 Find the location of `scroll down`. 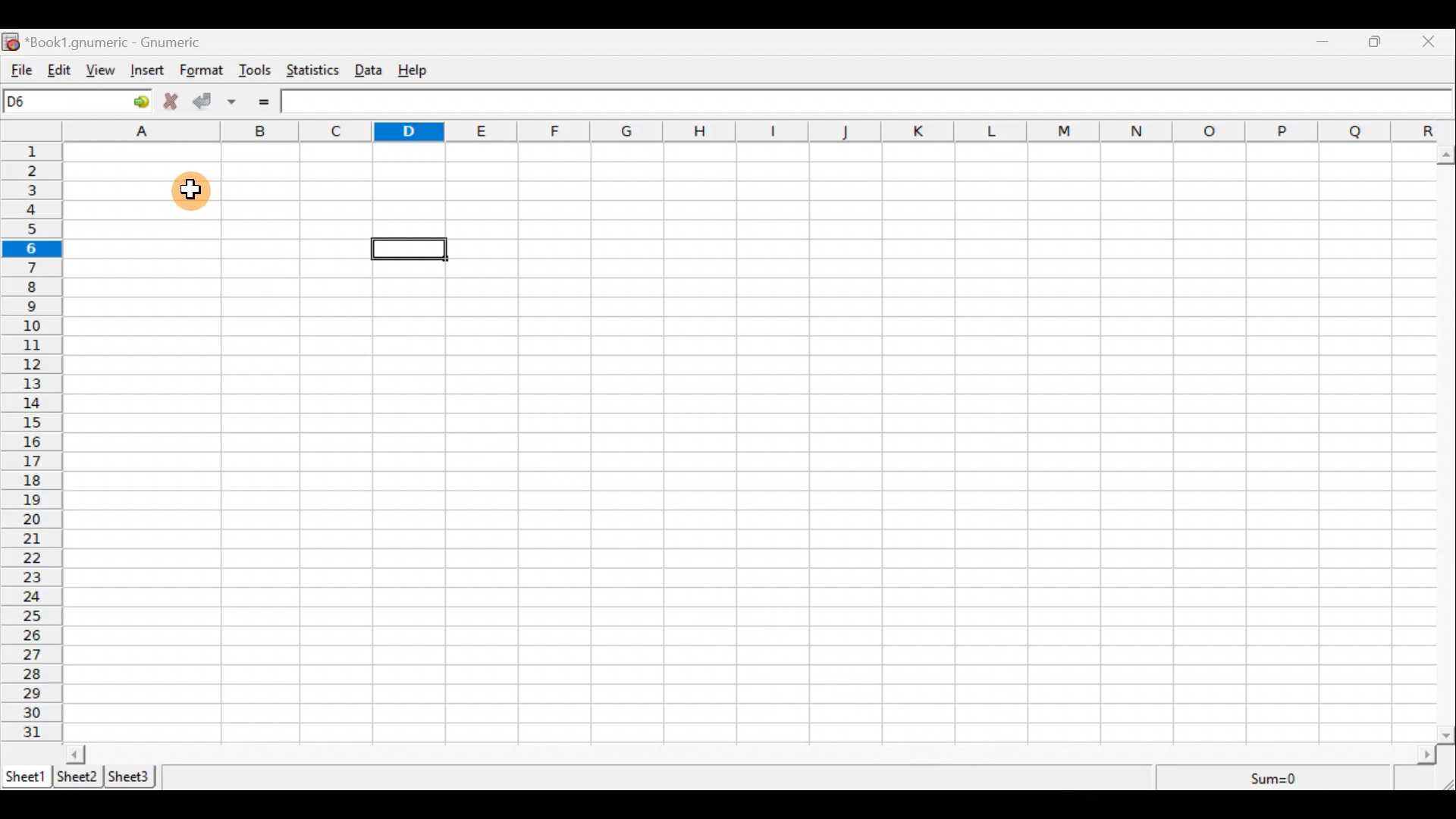

scroll down is located at coordinates (1447, 735).